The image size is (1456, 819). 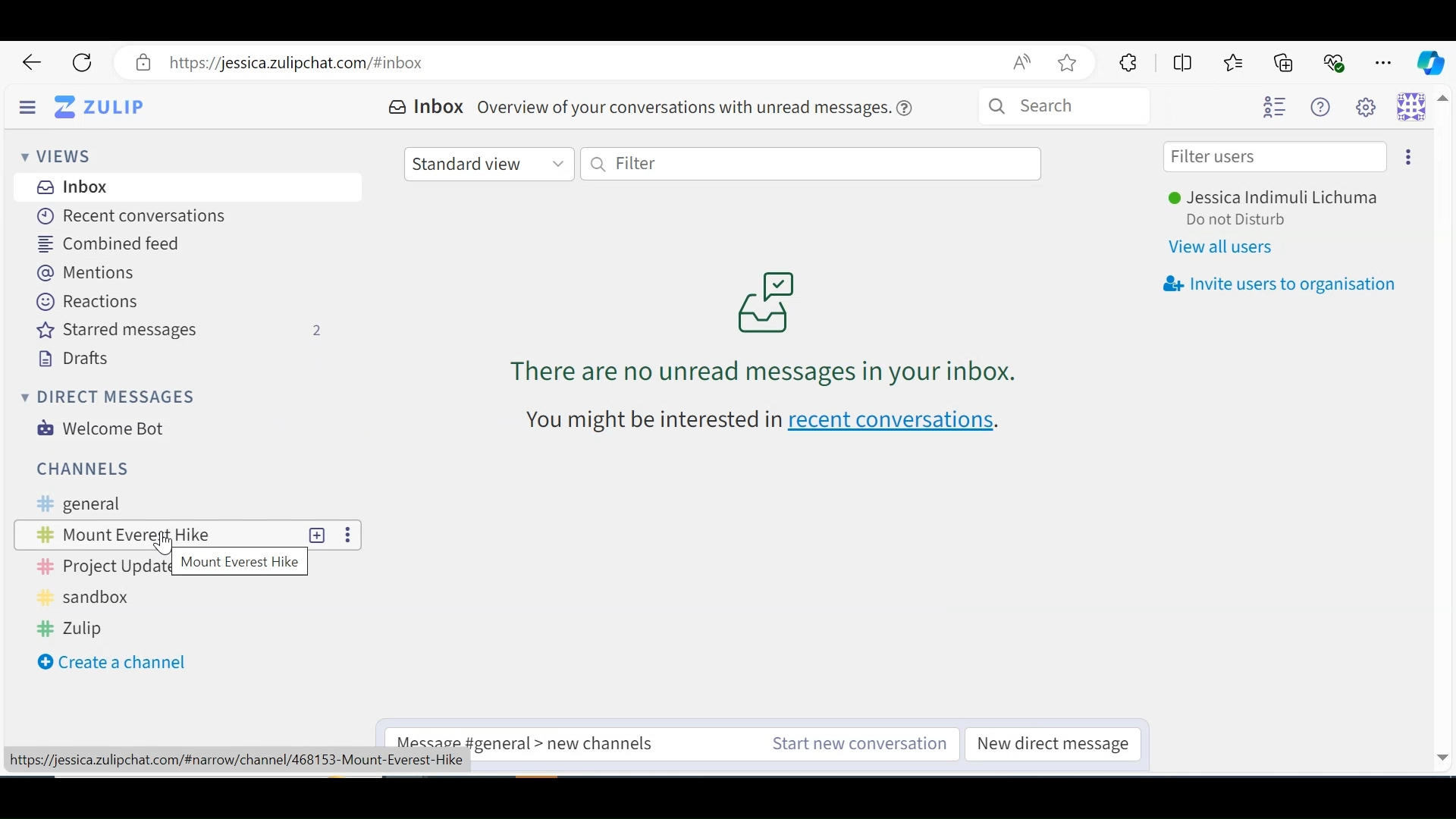 What do you see at coordinates (855, 744) in the screenshot?
I see `Start a new conversation` at bounding box center [855, 744].